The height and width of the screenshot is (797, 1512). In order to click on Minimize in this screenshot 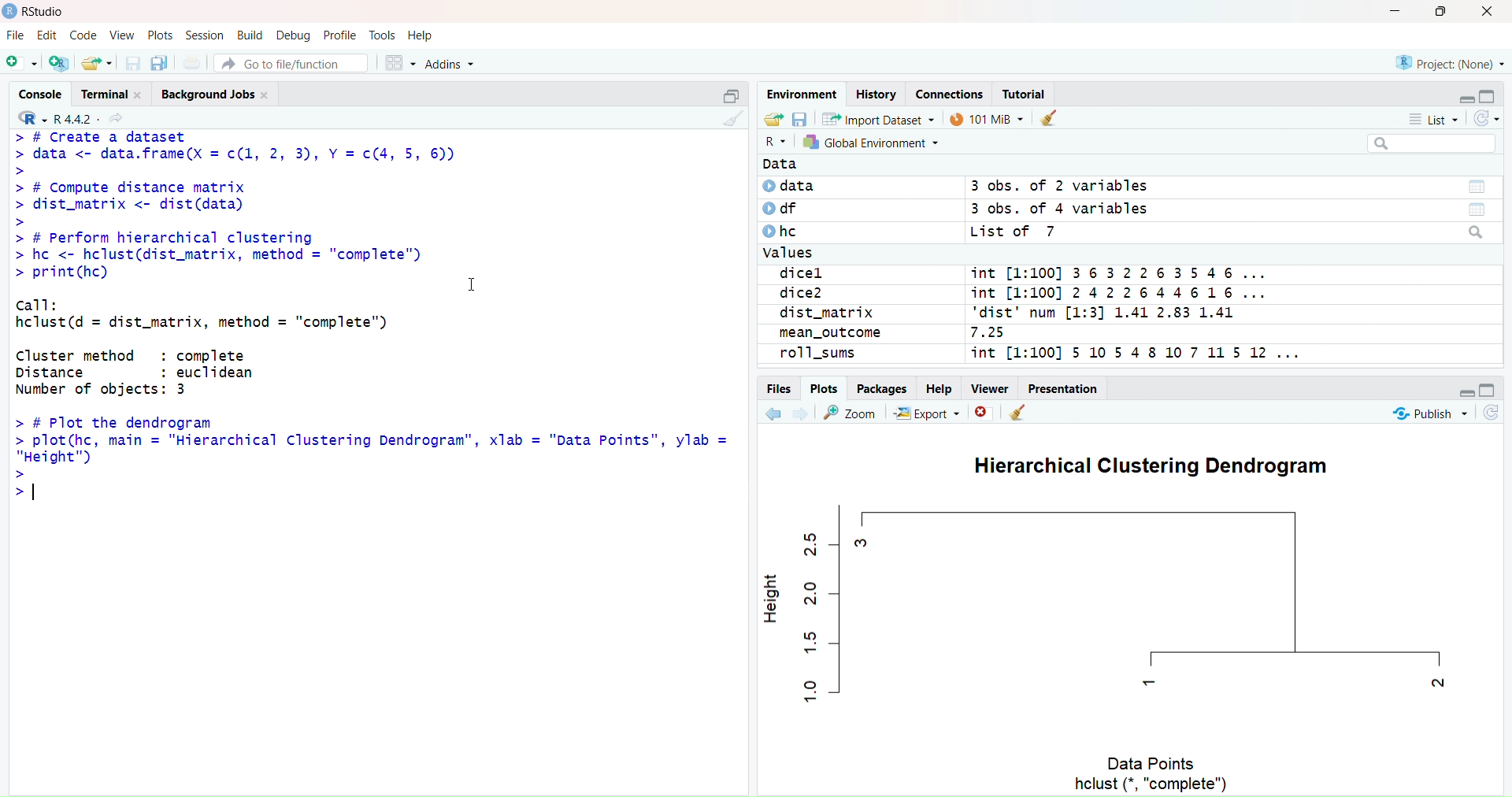, I will do `click(1397, 14)`.